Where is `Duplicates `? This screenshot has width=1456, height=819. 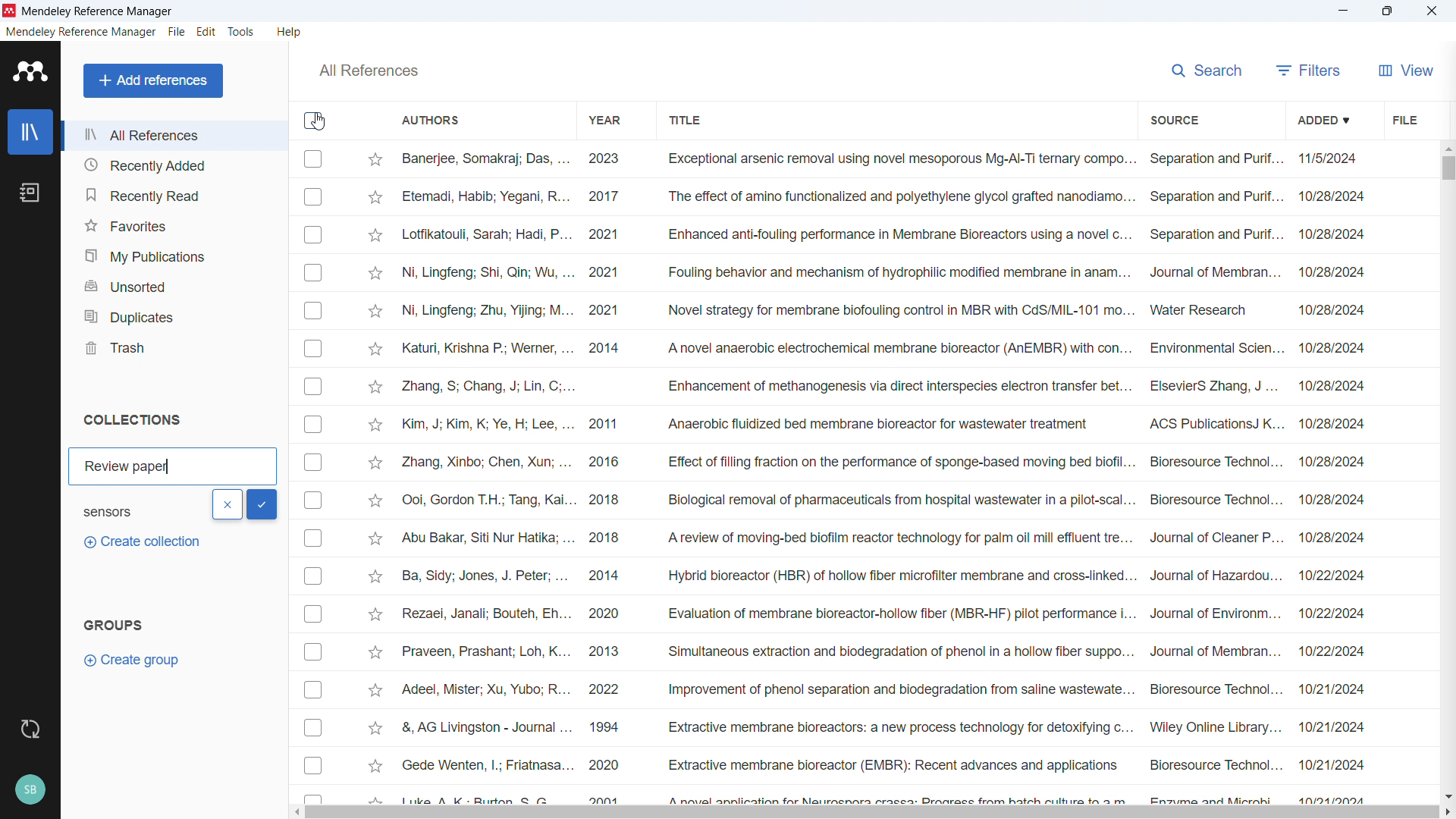
Duplicates  is located at coordinates (173, 315).